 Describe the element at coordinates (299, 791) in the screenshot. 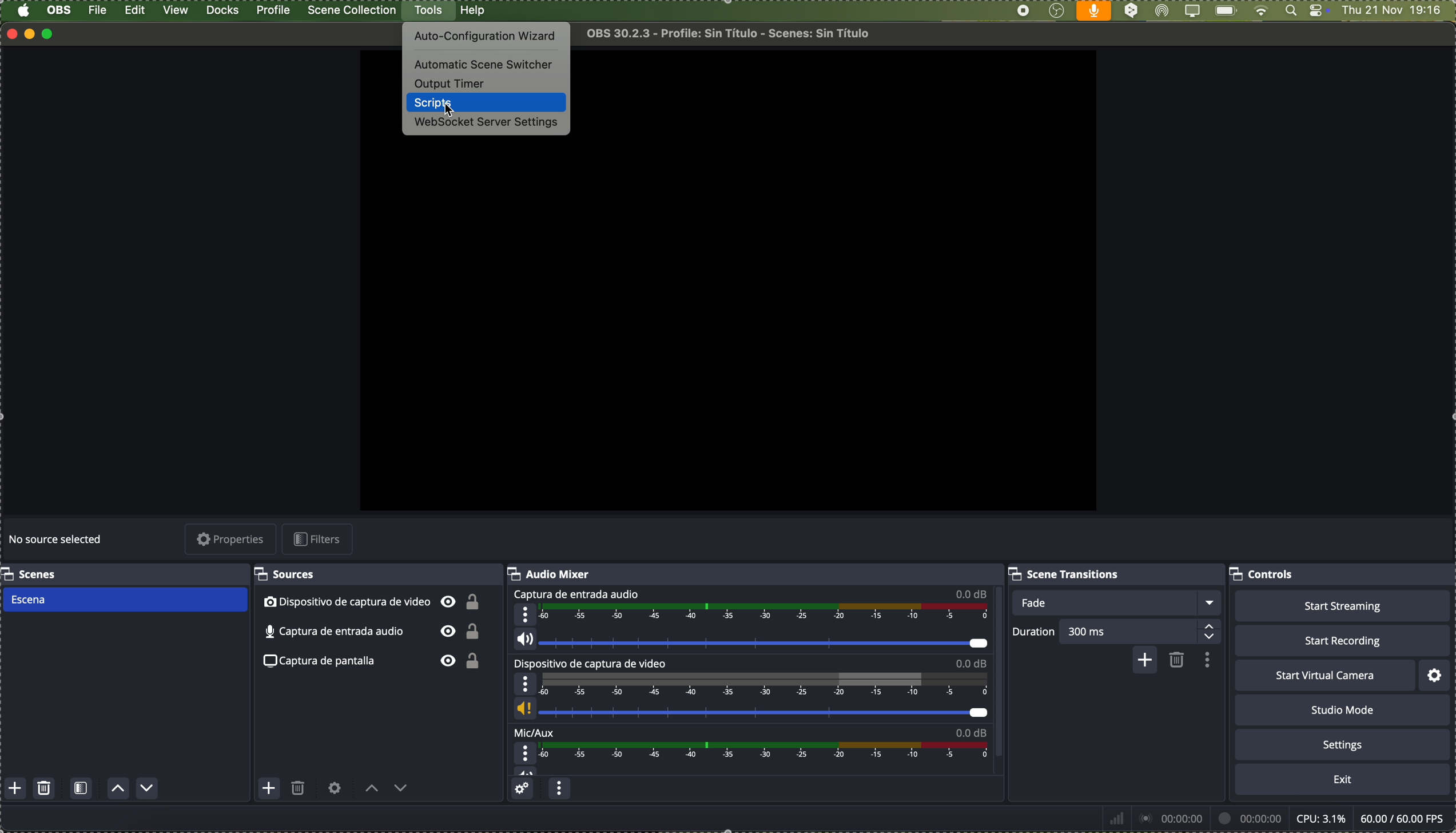

I see `remove selected source` at that location.